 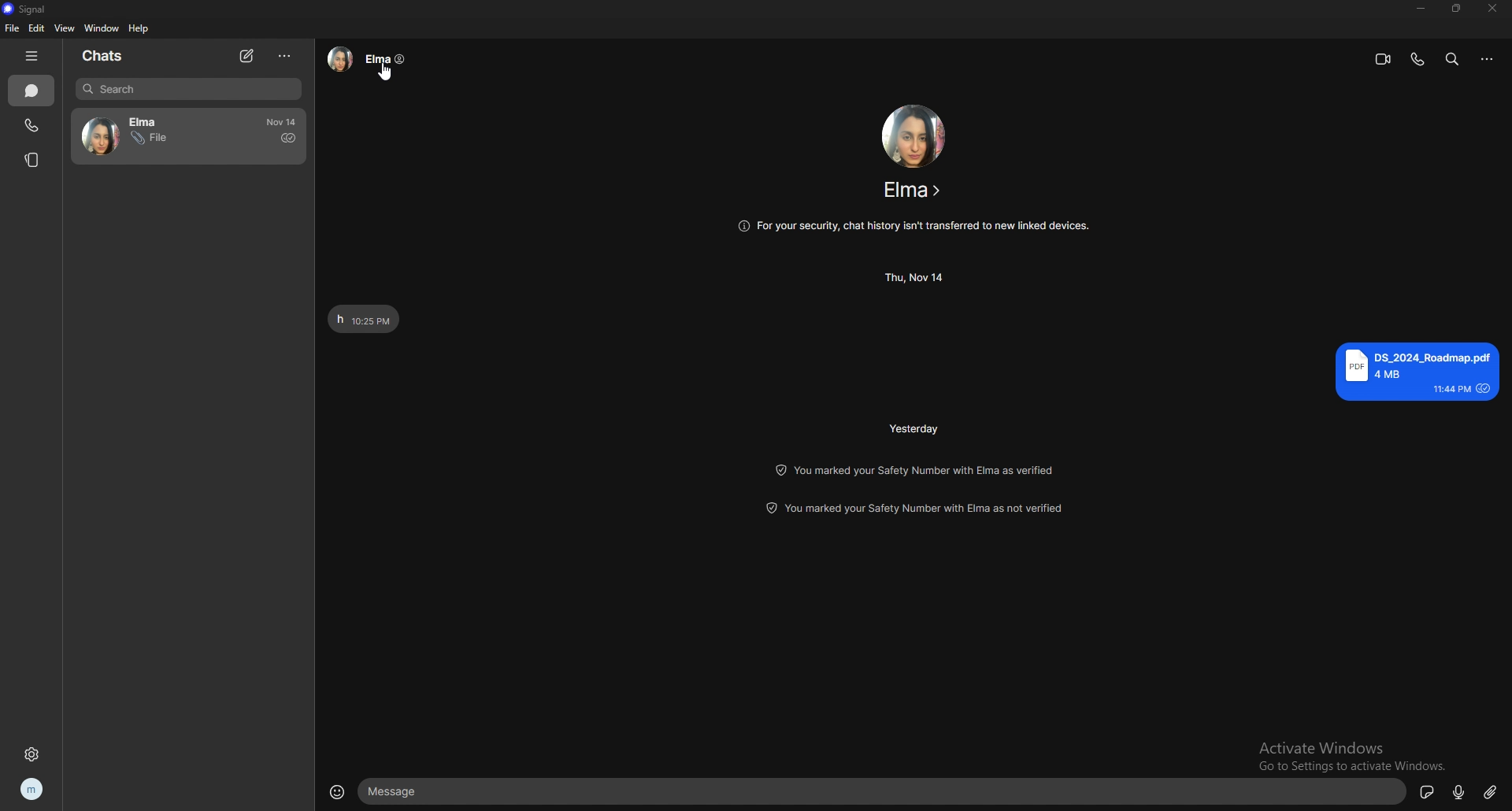 I want to click on window, so click(x=103, y=28).